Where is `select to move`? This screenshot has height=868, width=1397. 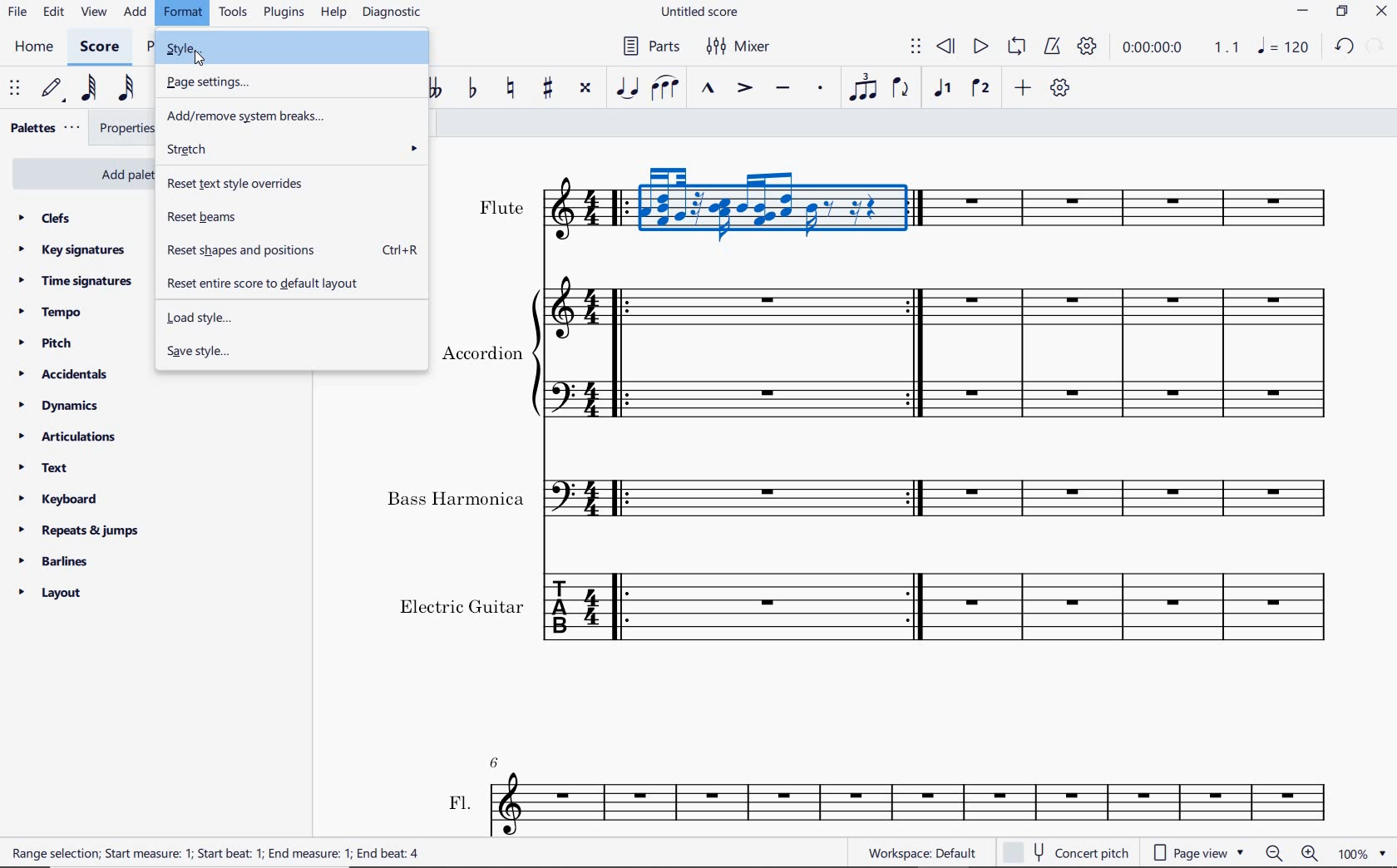
select to move is located at coordinates (916, 48).